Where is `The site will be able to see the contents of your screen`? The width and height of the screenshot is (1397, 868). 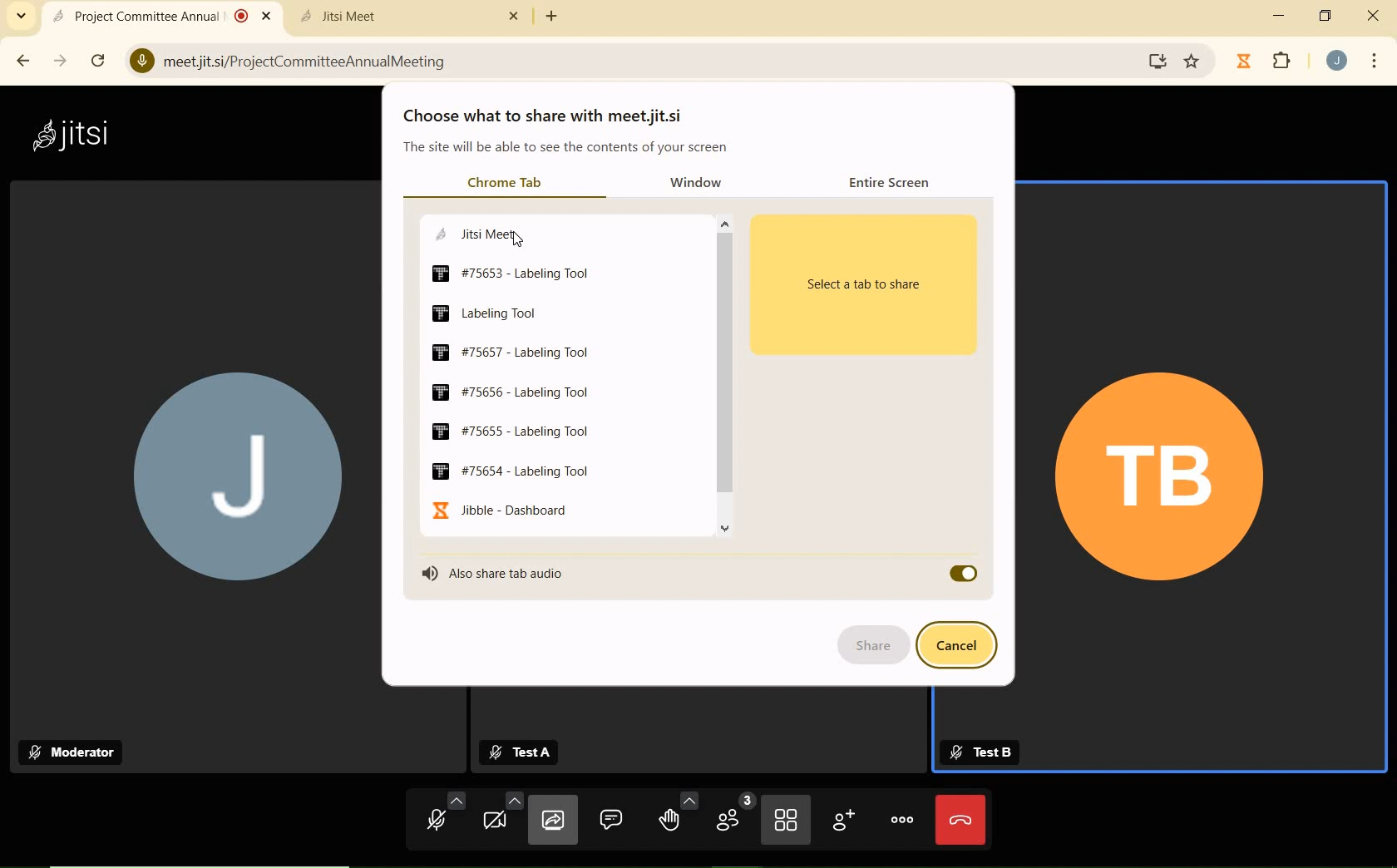
The site will be able to see the contents of your screen is located at coordinates (565, 148).